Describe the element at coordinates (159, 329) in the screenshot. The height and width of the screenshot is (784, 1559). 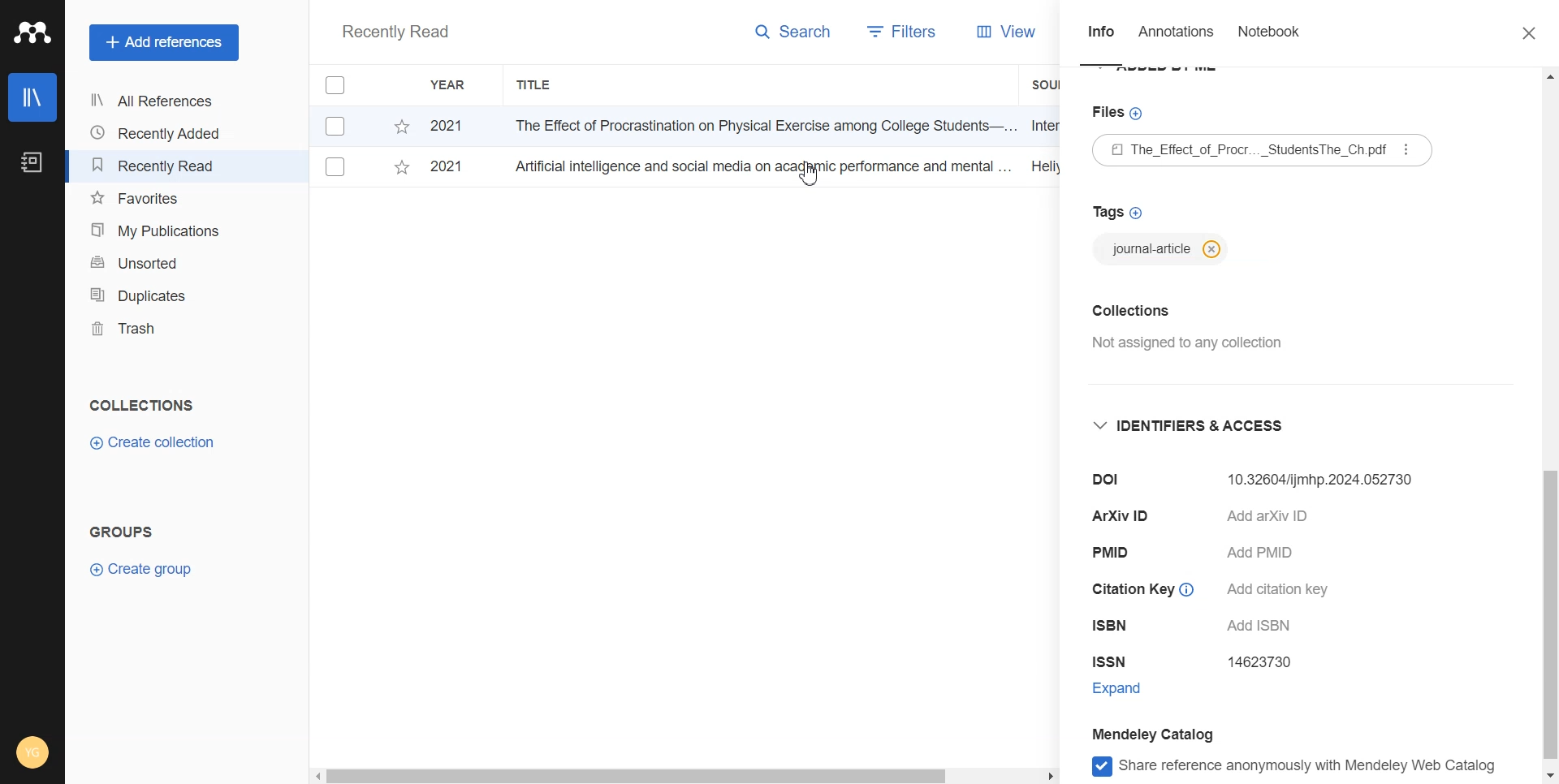
I see `Trash` at that location.